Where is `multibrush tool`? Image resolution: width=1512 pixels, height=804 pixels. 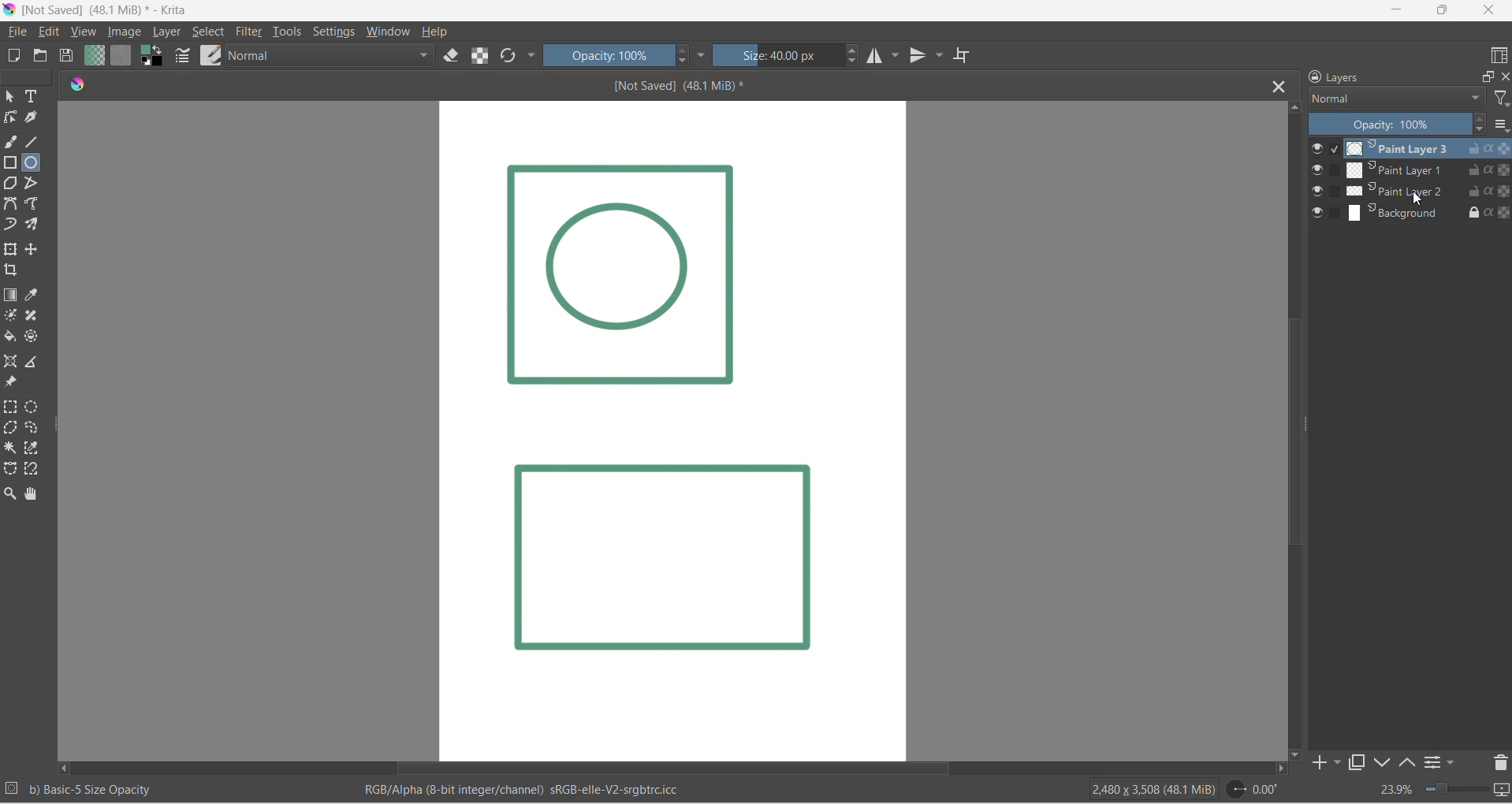
multibrush tool is located at coordinates (35, 225).